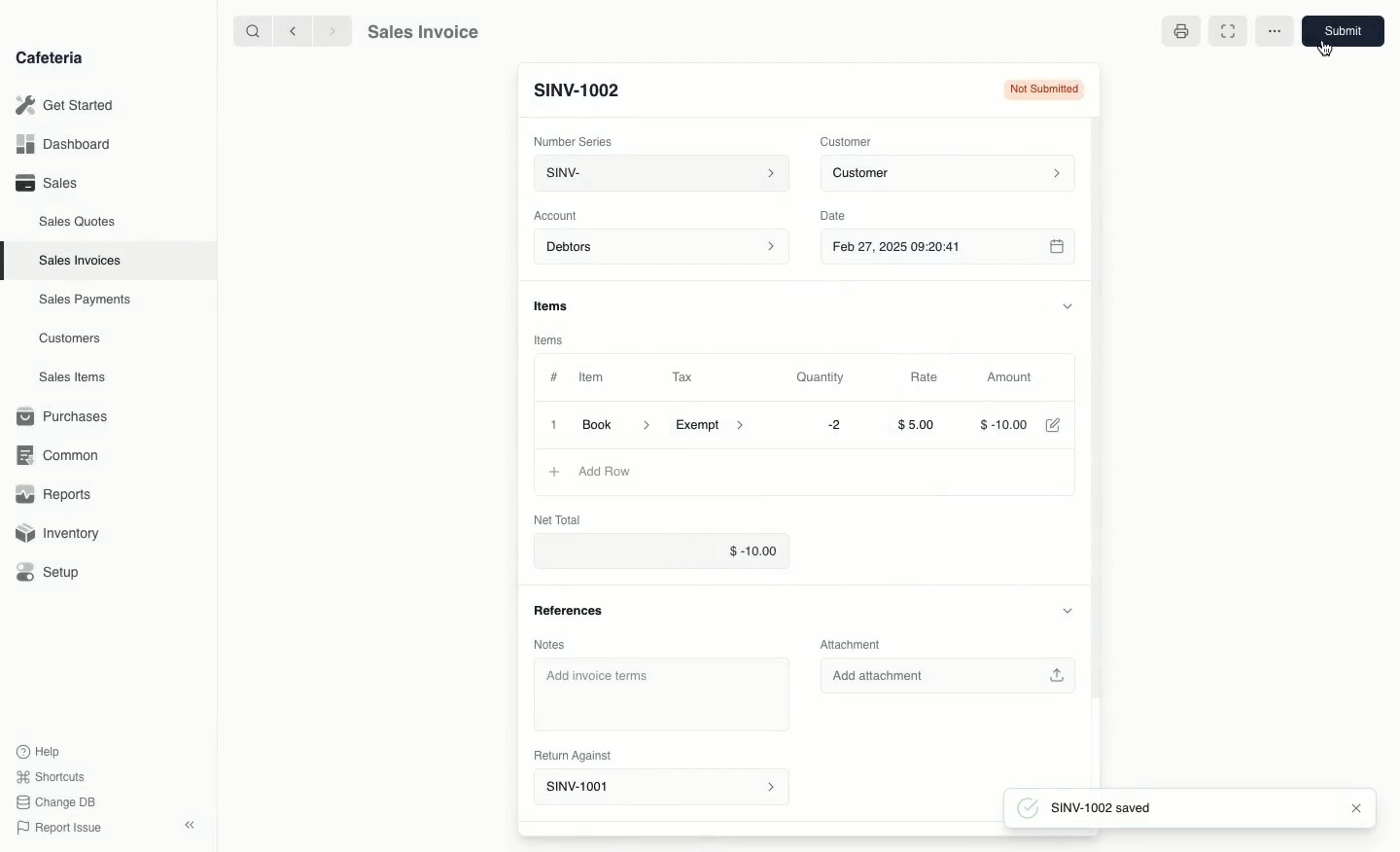 The height and width of the screenshot is (852, 1400). I want to click on Sales Payments, so click(86, 301).